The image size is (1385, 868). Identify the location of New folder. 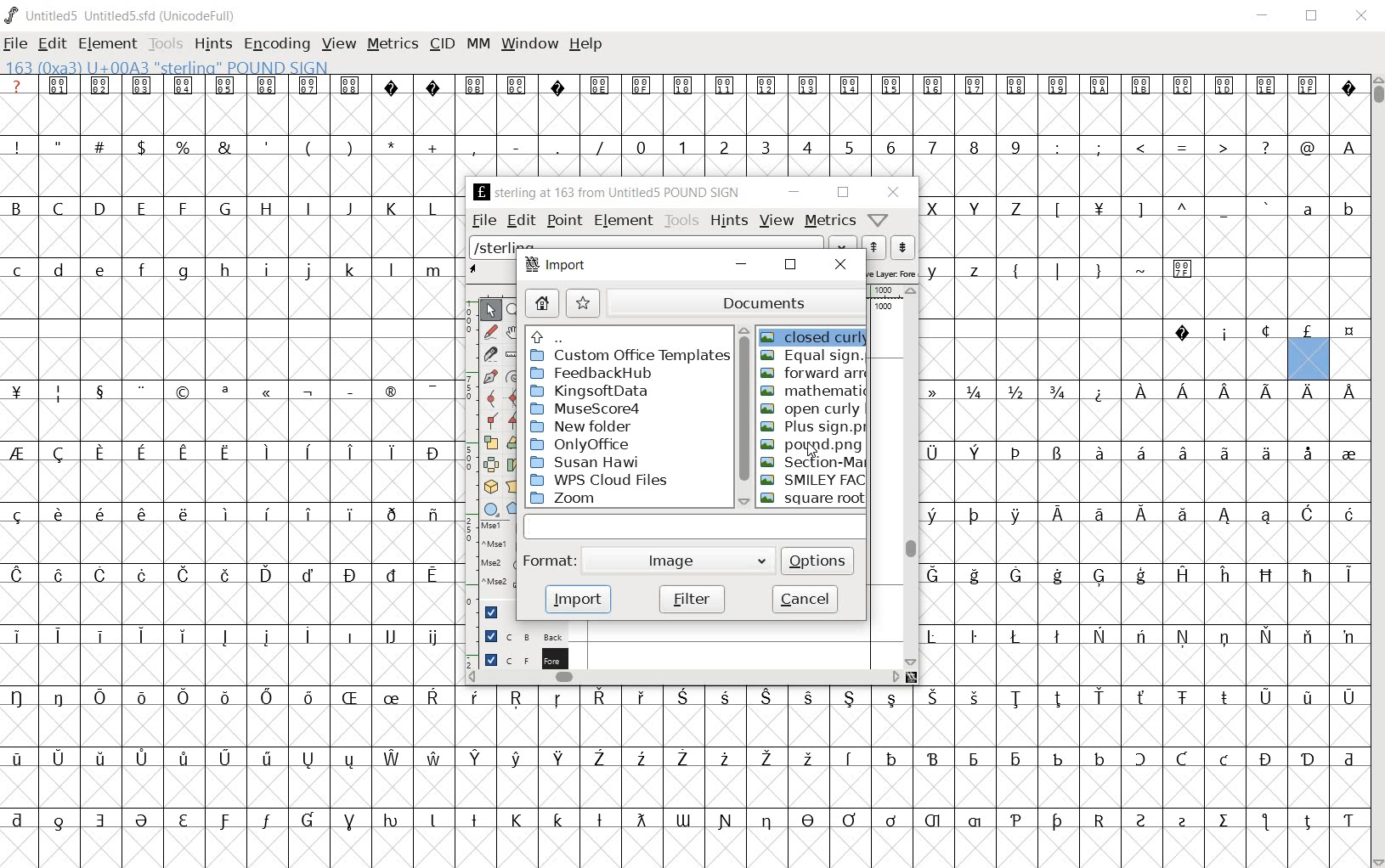
(585, 426).